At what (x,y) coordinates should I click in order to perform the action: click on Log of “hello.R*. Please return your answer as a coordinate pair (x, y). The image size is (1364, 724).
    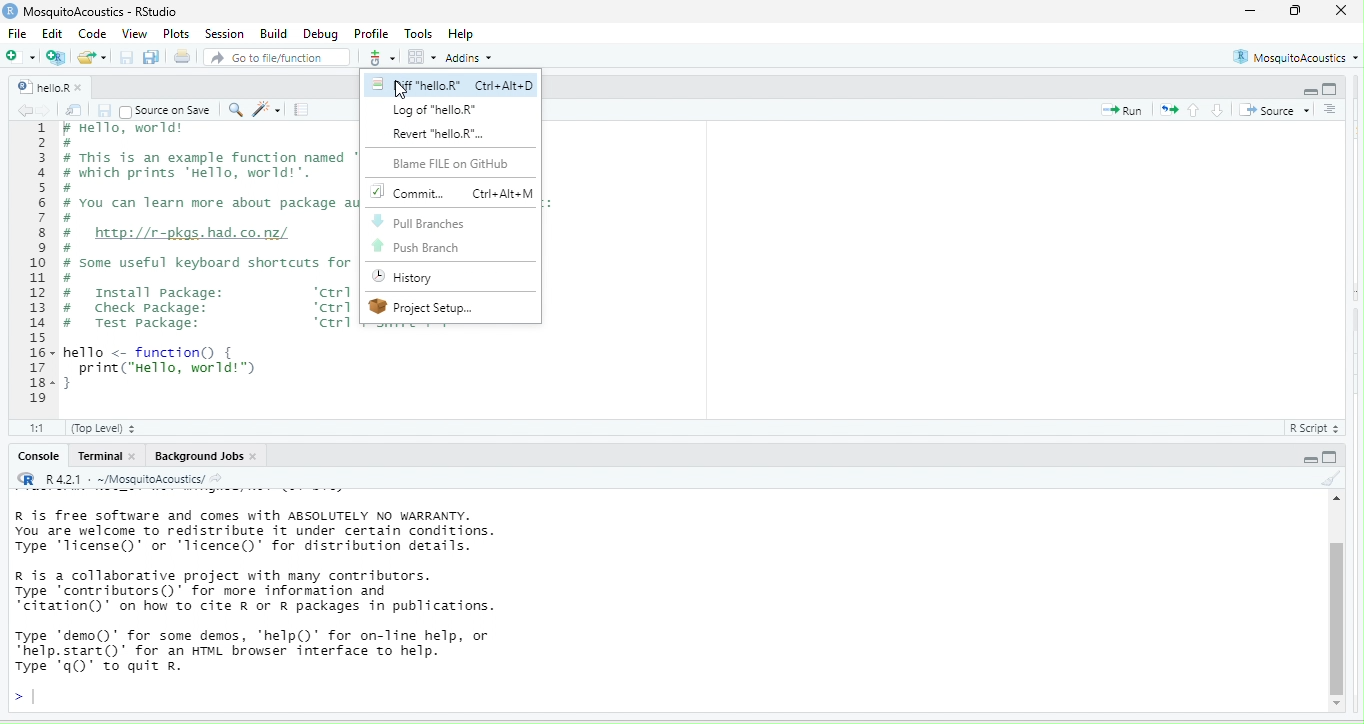
    Looking at the image, I should click on (437, 112).